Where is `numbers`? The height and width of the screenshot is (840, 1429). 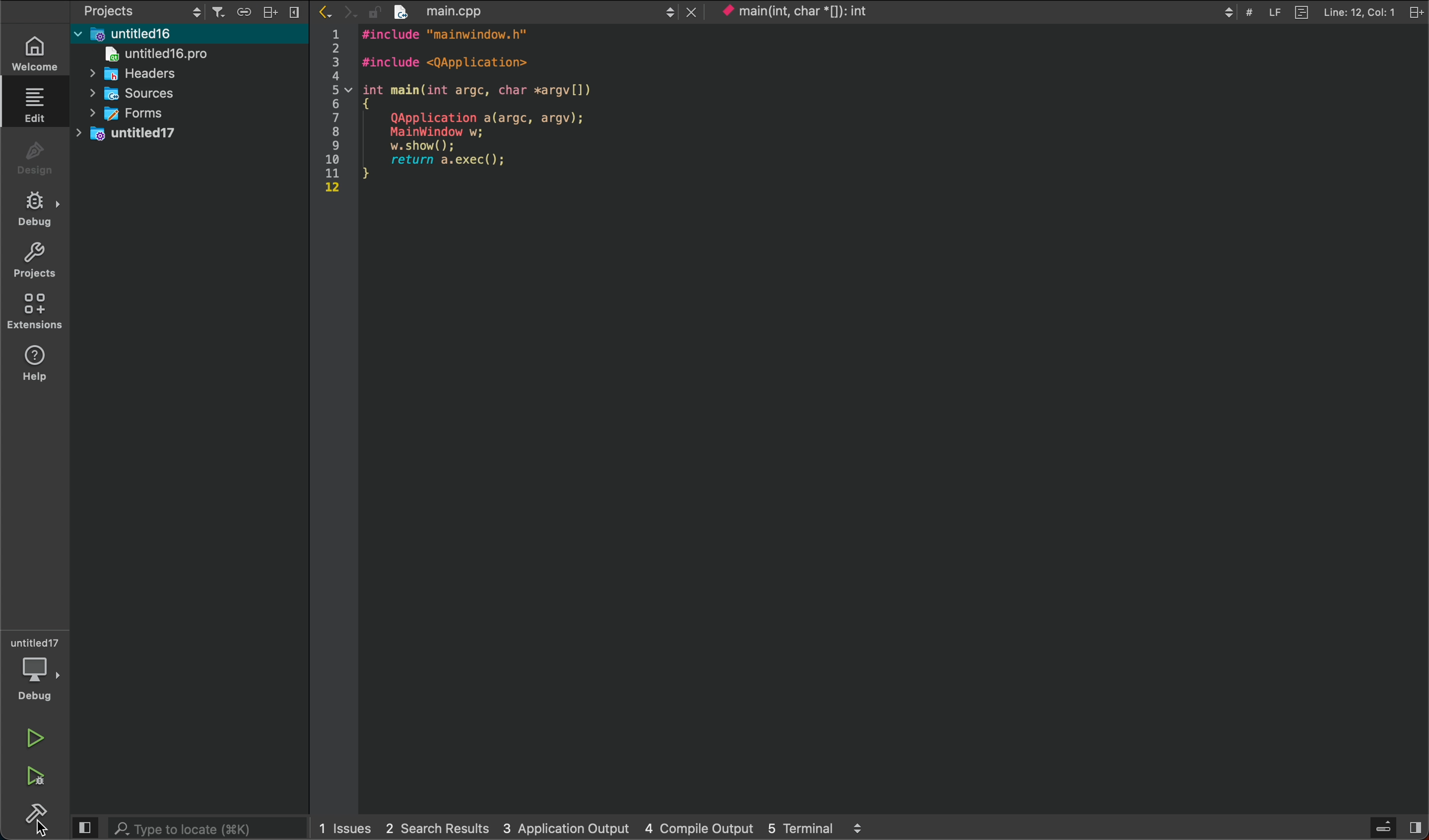 numbers is located at coordinates (335, 112).